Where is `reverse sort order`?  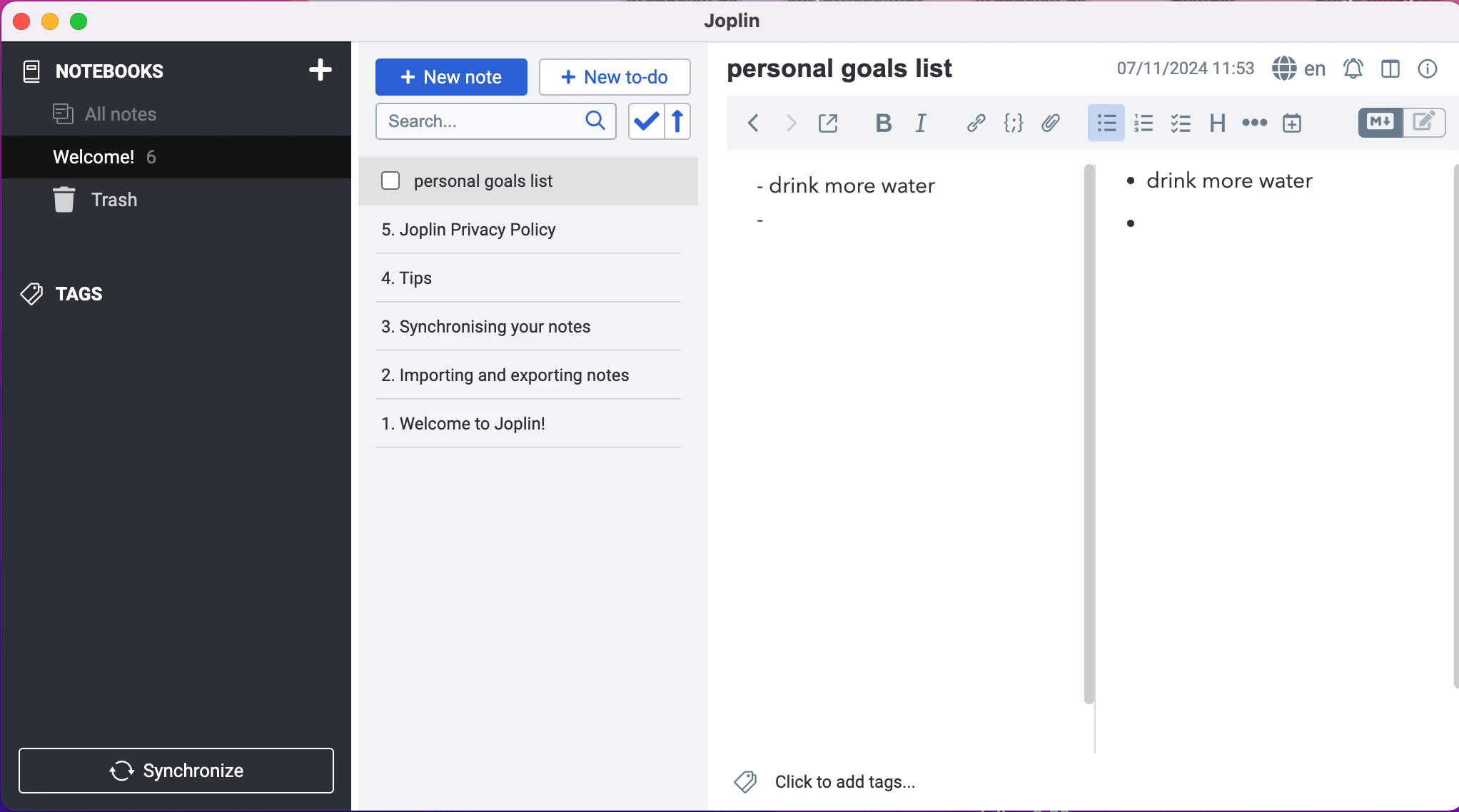 reverse sort order is located at coordinates (687, 122).